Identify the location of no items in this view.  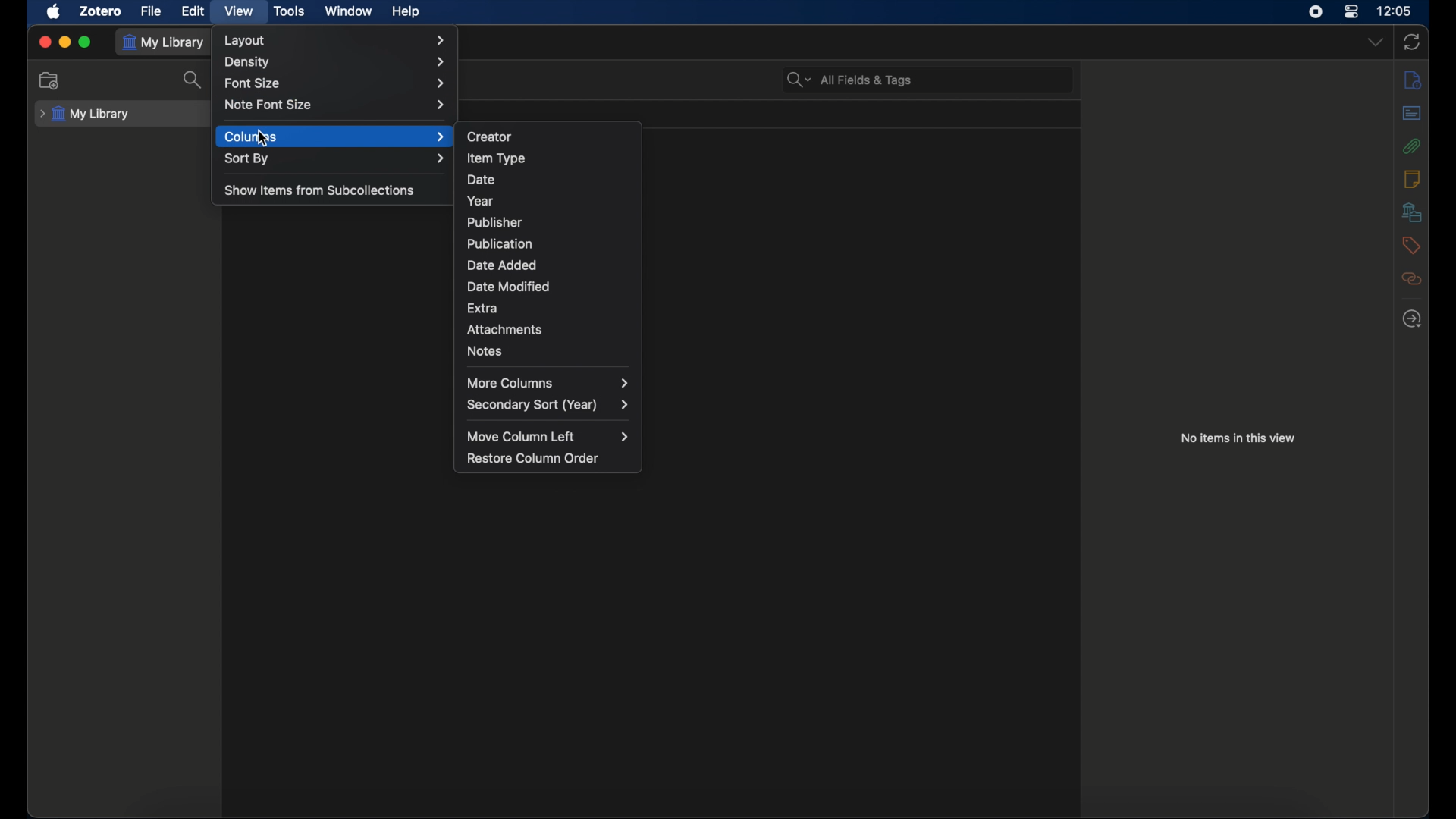
(1238, 438).